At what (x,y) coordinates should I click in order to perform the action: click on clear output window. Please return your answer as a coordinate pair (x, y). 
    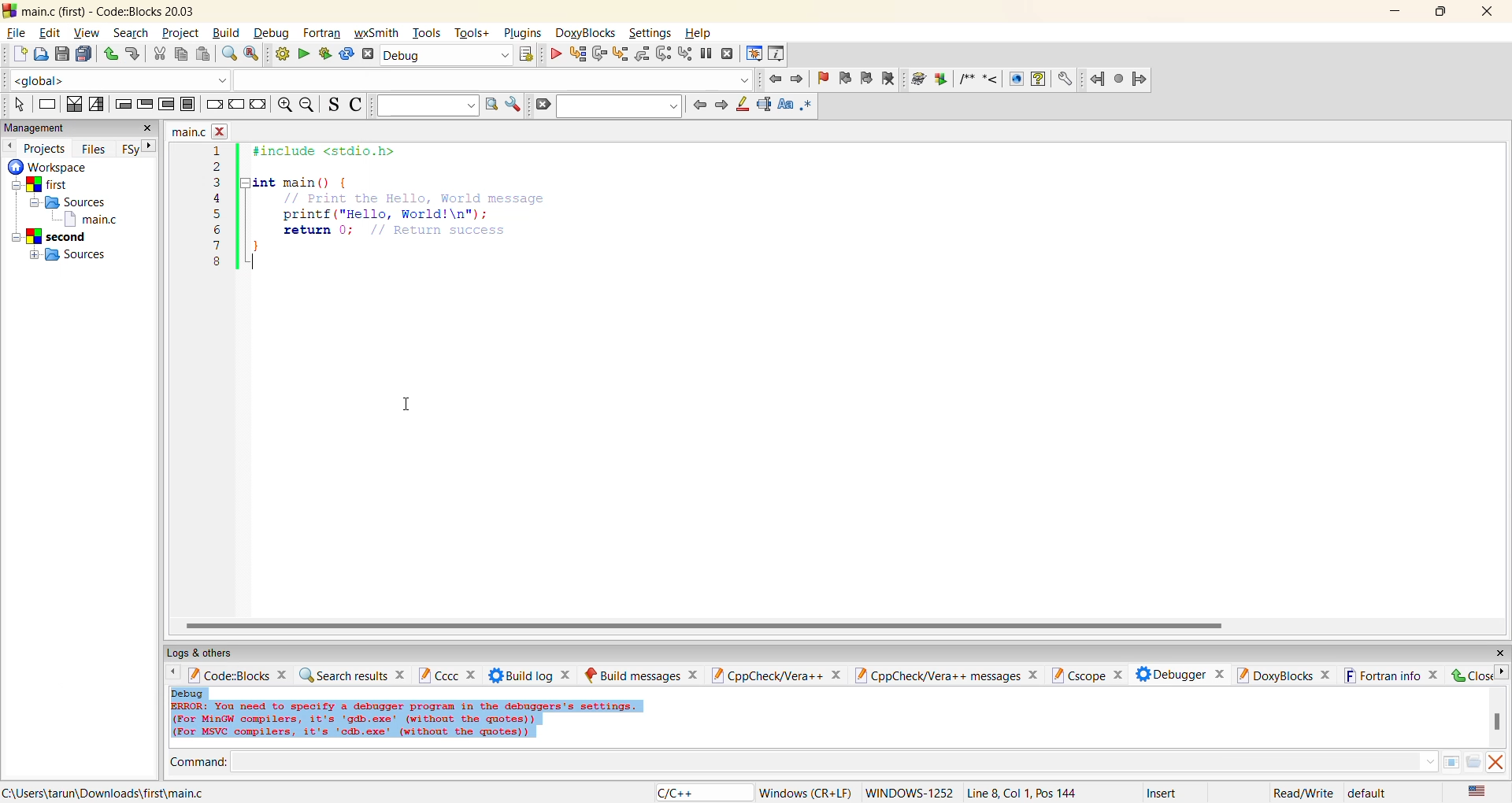
    Looking at the image, I should click on (1498, 764).